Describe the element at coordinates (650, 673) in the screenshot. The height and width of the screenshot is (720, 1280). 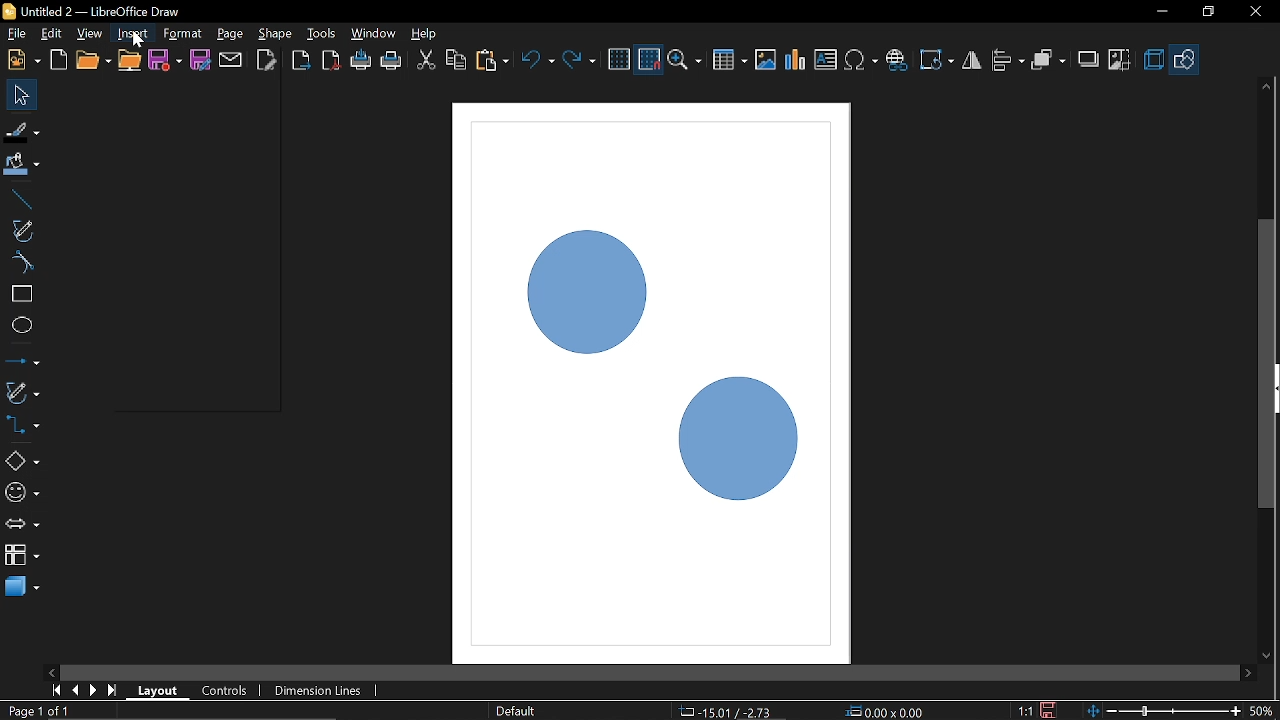
I see `Horizontal scrollbar` at that location.